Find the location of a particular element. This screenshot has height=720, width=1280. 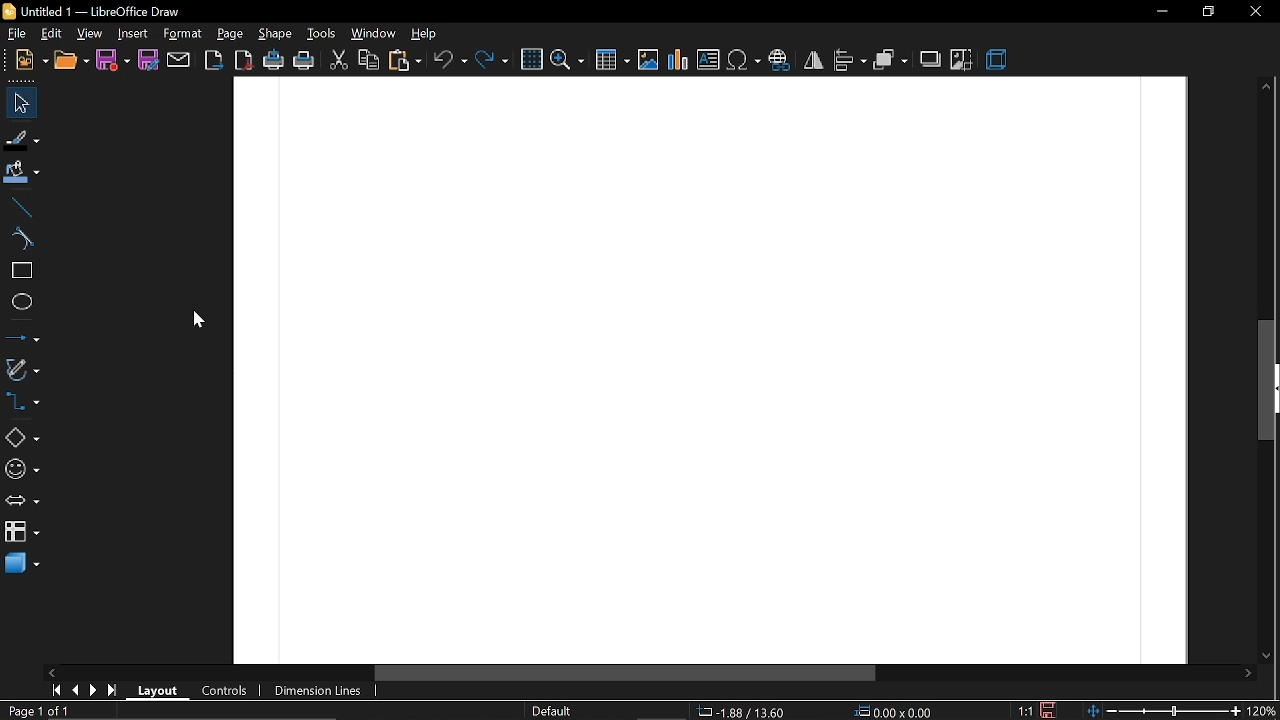

close is located at coordinates (1255, 13).